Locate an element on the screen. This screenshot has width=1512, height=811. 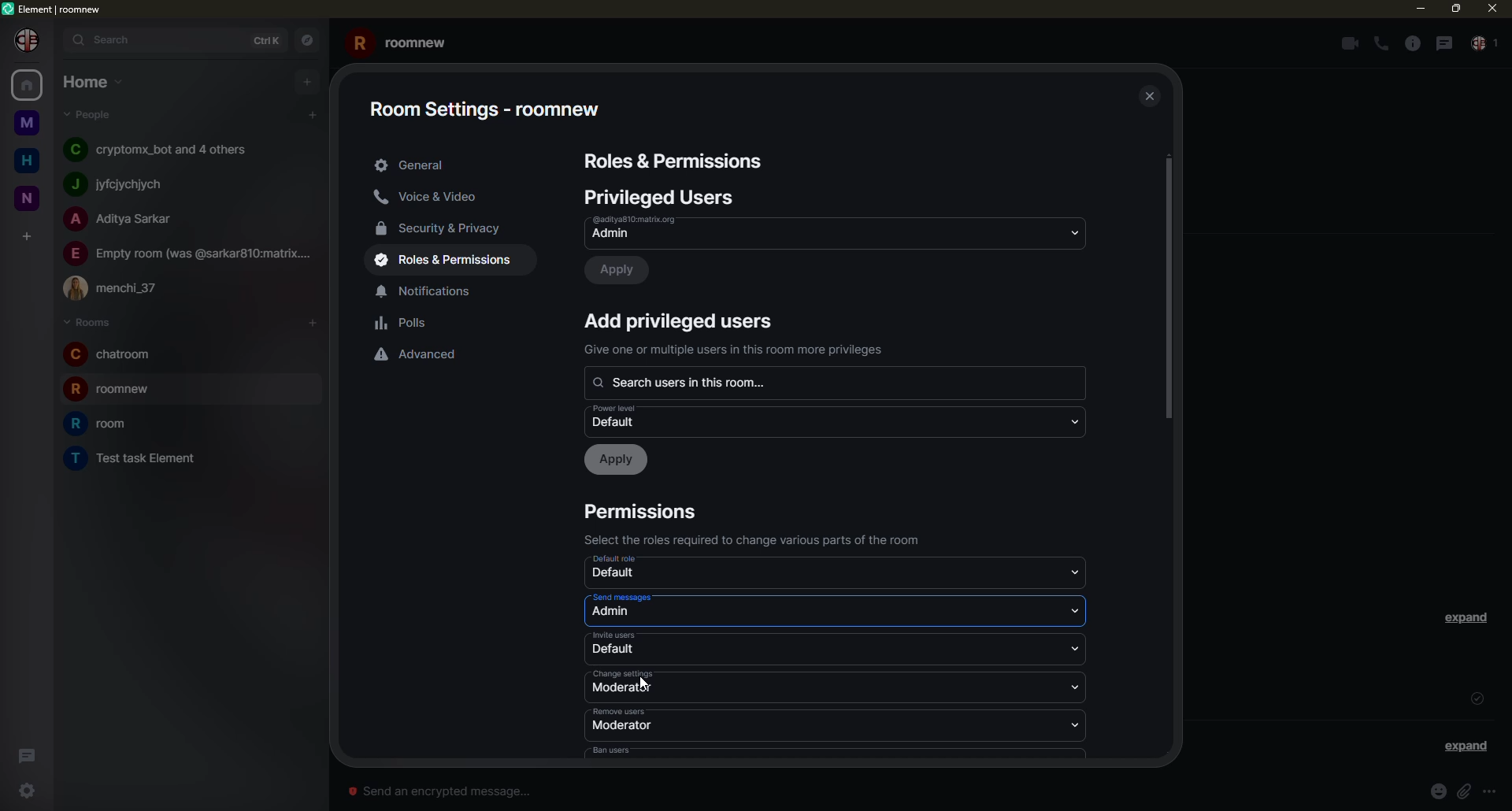
roles is located at coordinates (450, 261).